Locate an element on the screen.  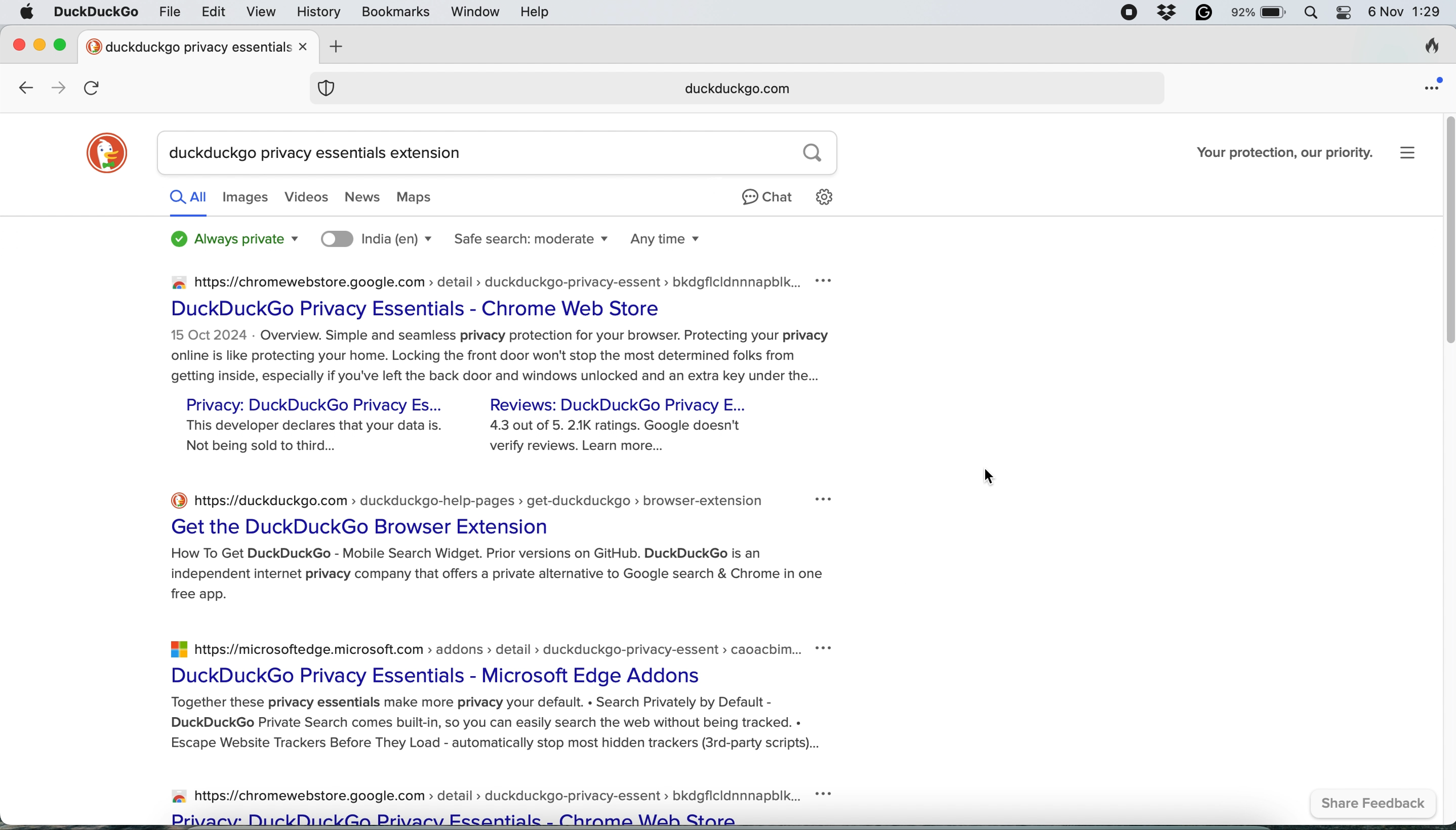
spotlight search is located at coordinates (1312, 12).